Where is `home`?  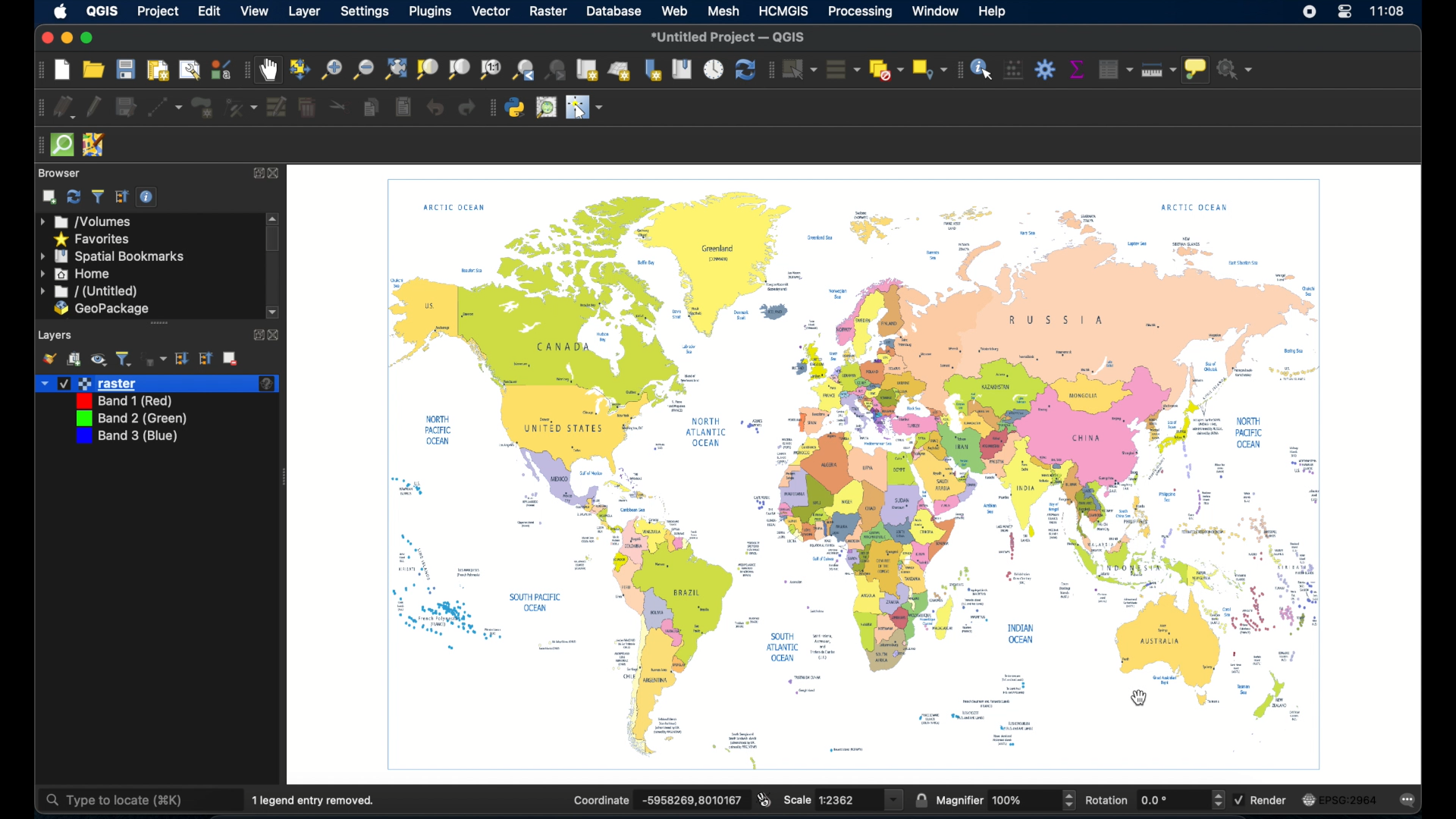 home is located at coordinates (77, 274).